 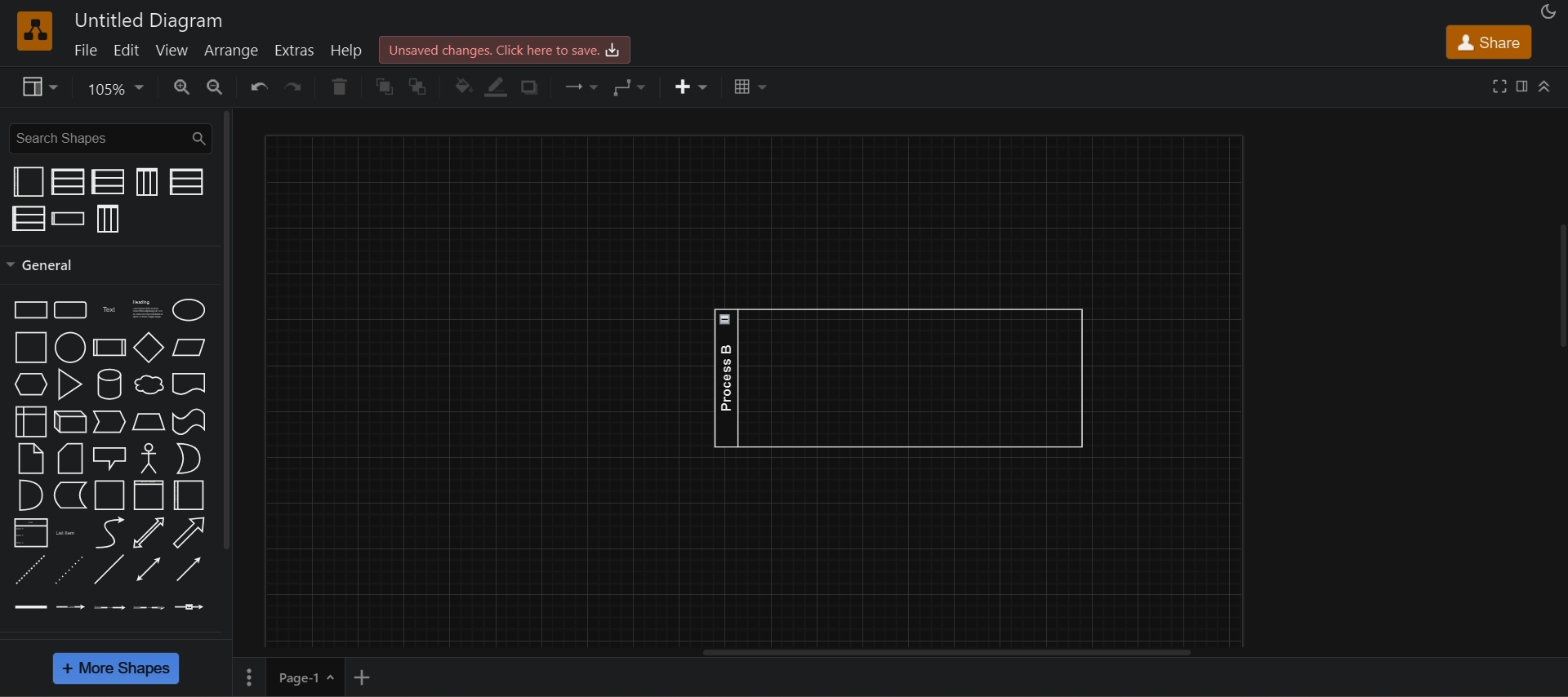 What do you see at coordinates (189, 570) in the screenshot?
I see `directional connector ` at bounding box center [189, 570].